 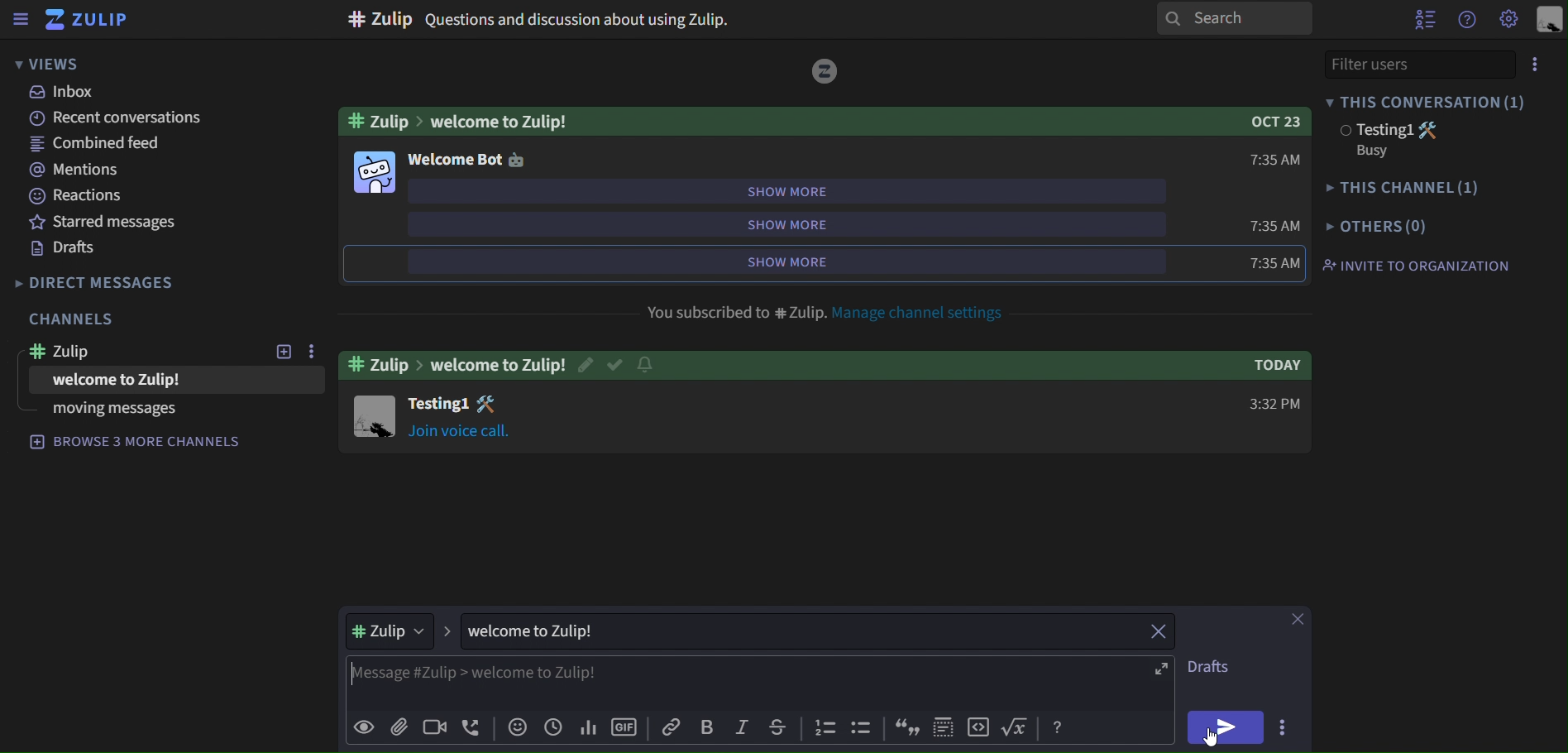 I want to click on show more, so click(x=815, y=224).